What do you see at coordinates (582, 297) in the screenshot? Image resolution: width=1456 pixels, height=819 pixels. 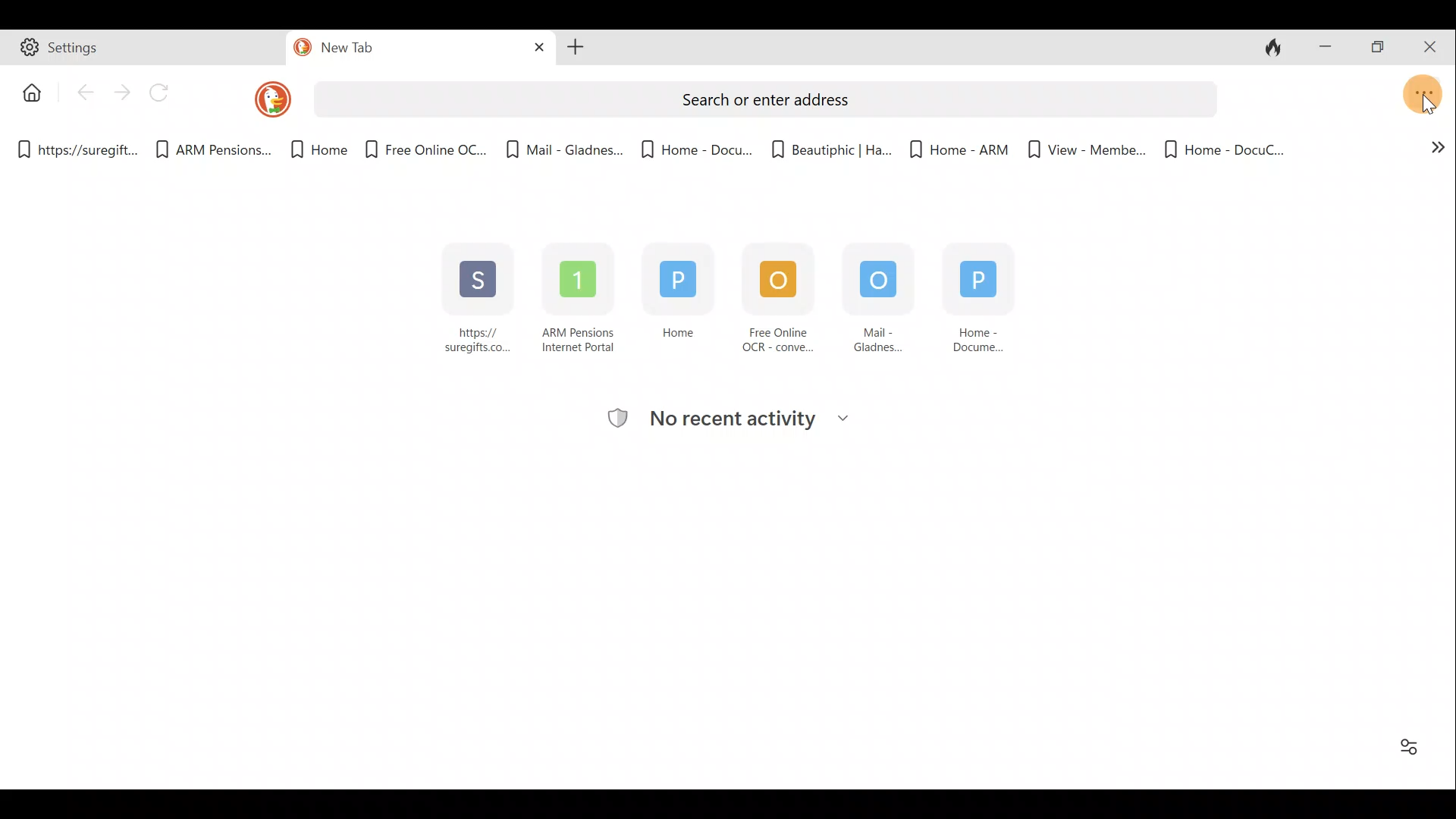 I see `ARM Pensions Internet Portal` at bounding box center [582, 297].